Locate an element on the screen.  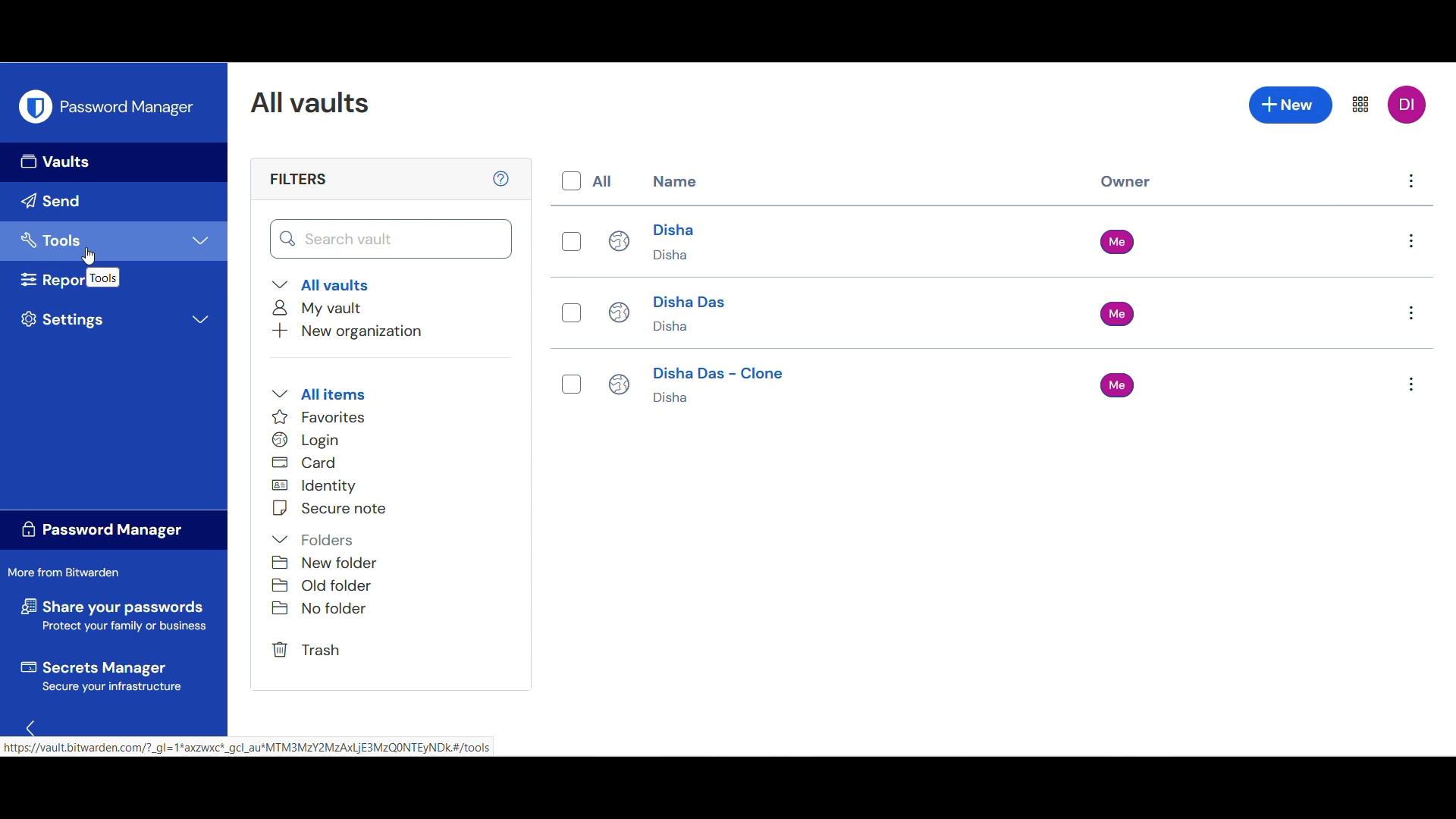
Collapse all items is located at coordinates (319, 394).